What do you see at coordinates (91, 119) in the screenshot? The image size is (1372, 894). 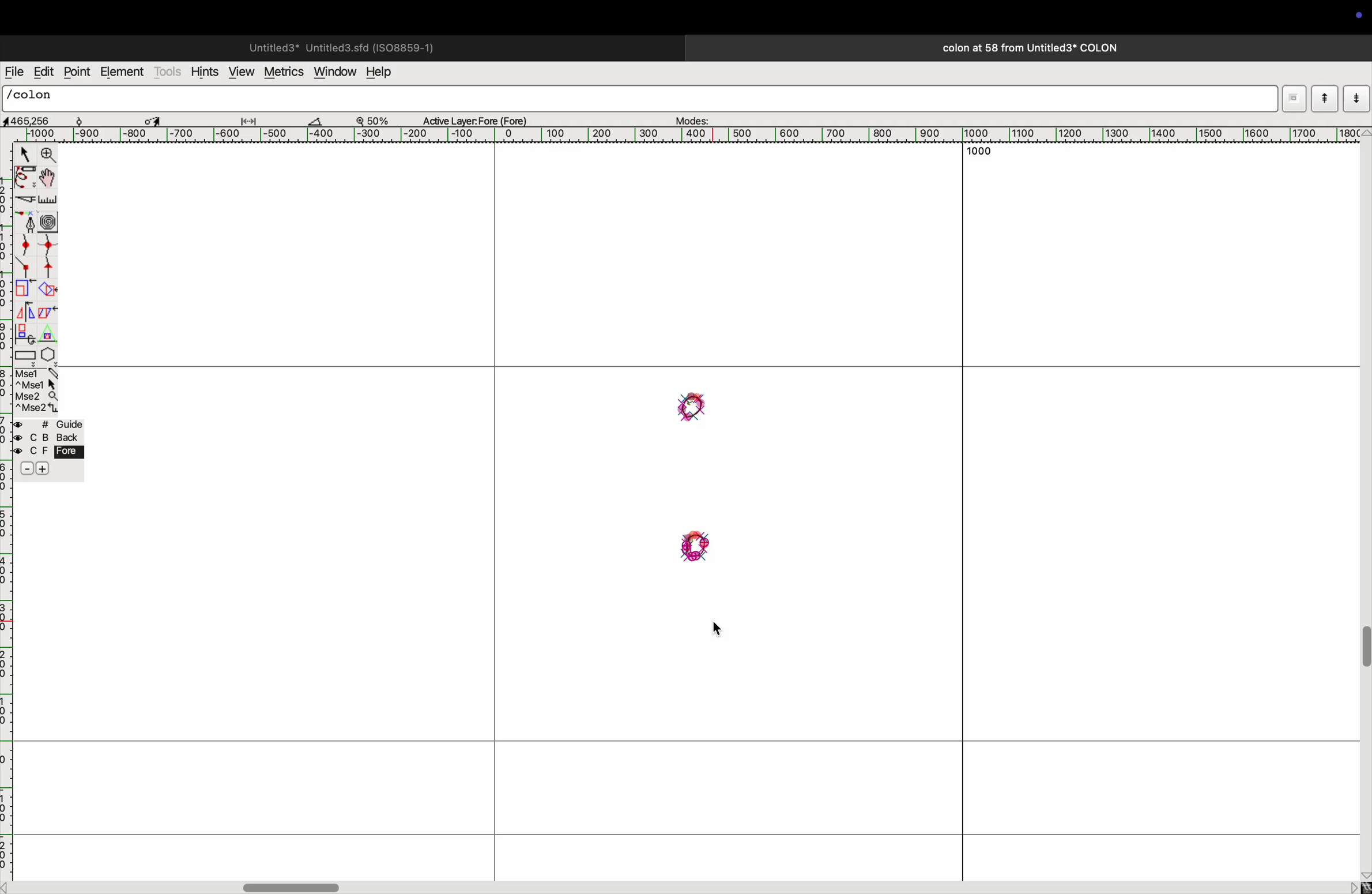 I see `snow` at bounding box center [91, 119].